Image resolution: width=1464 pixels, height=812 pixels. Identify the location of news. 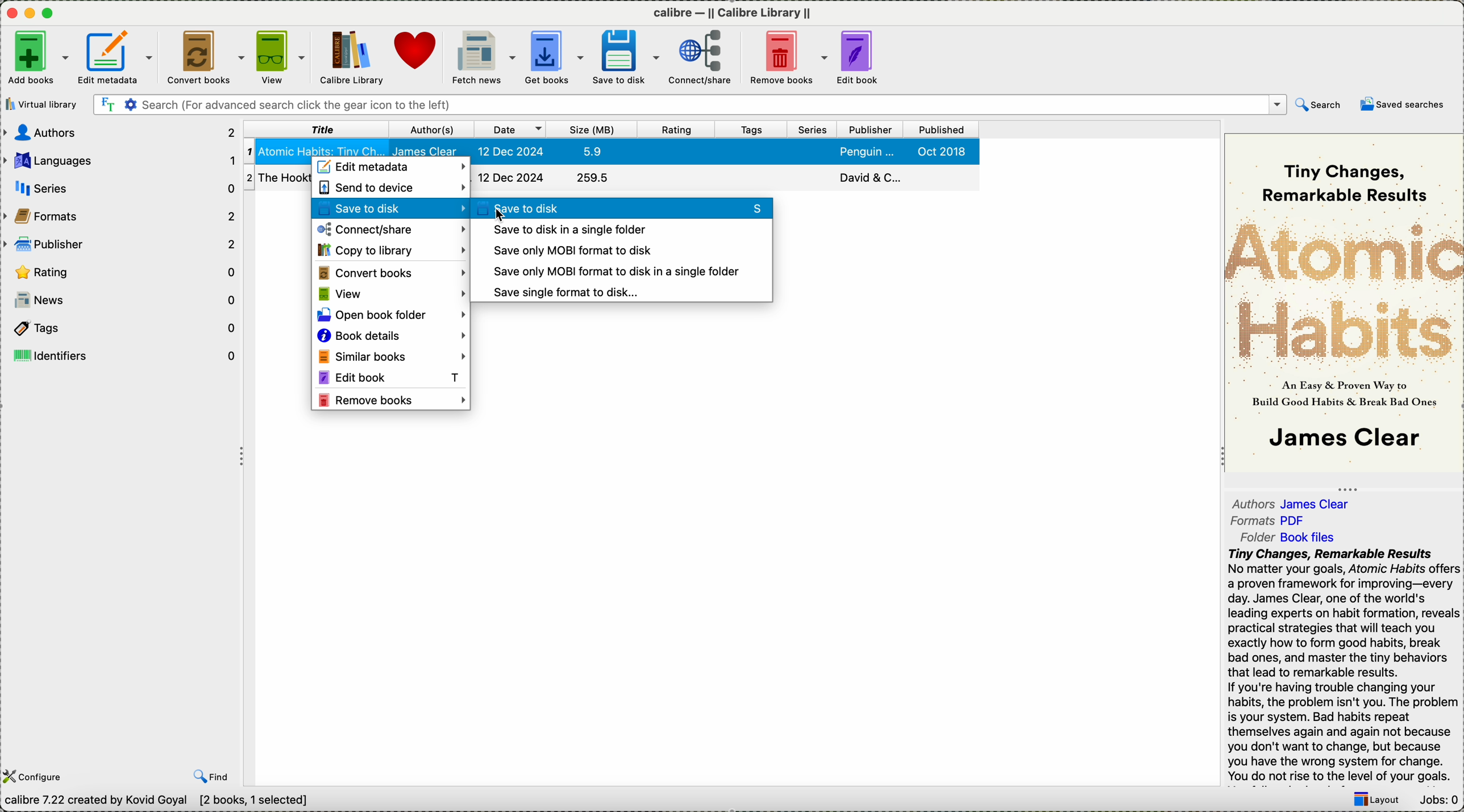
(126, 300).